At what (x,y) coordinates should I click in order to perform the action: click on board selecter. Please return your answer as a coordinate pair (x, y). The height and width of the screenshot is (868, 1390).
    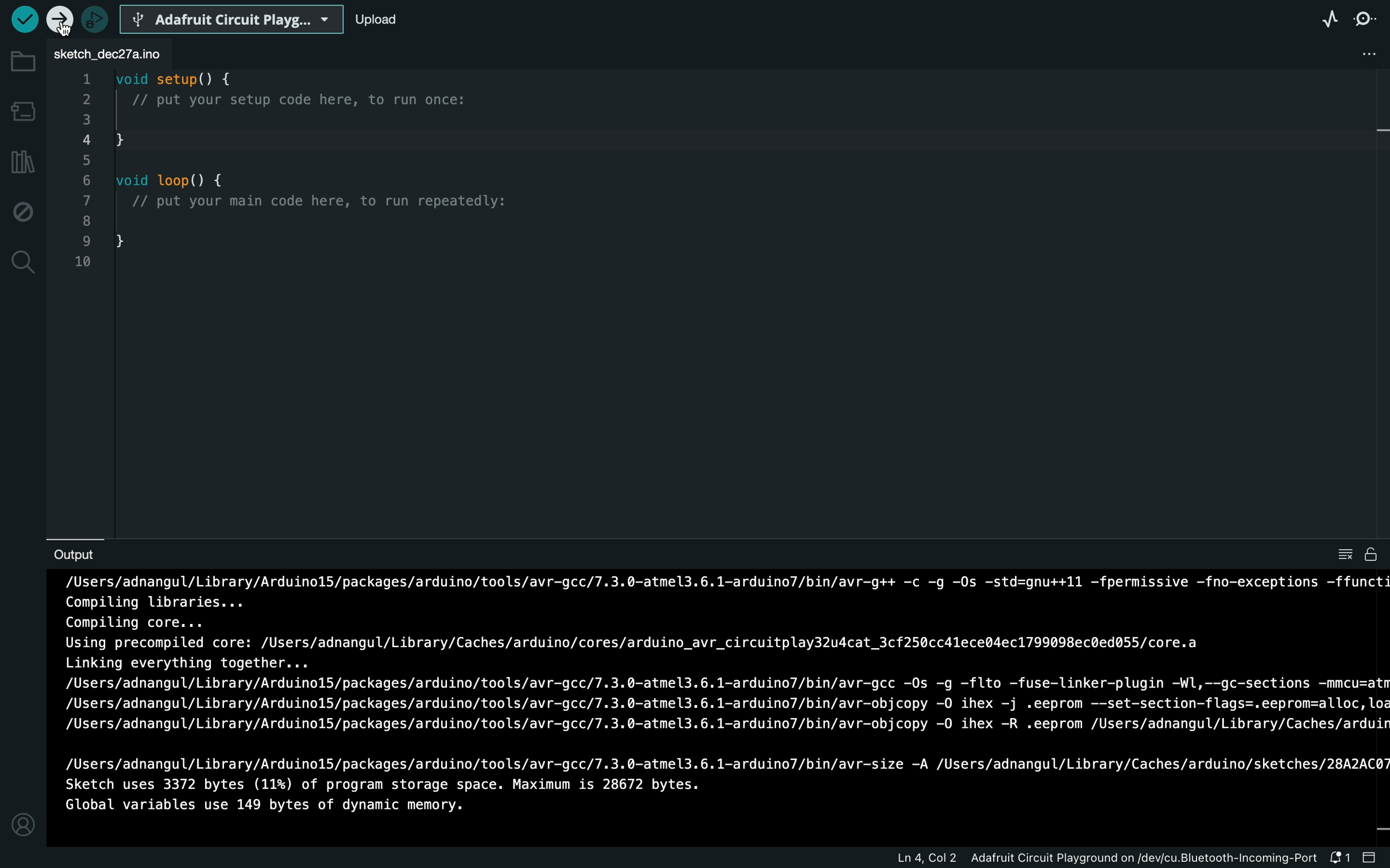
    Looking at the image, I should click on (230, 22).